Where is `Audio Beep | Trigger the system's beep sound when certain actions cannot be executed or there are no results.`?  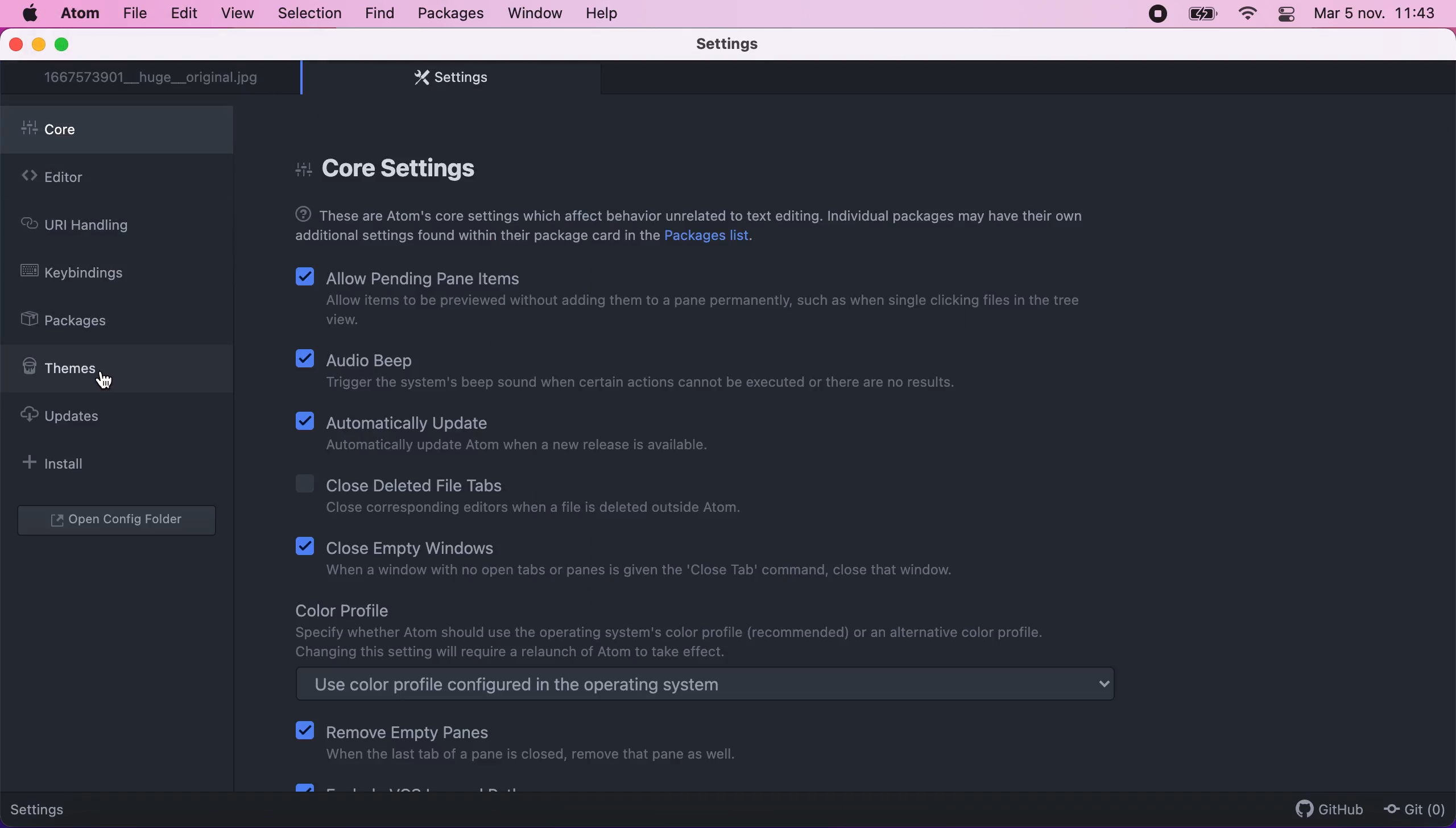 Audio Beep | Trigger the system's beep sound when certain actions cannot be executed or there are no results. is located at coordinates (635, 370).